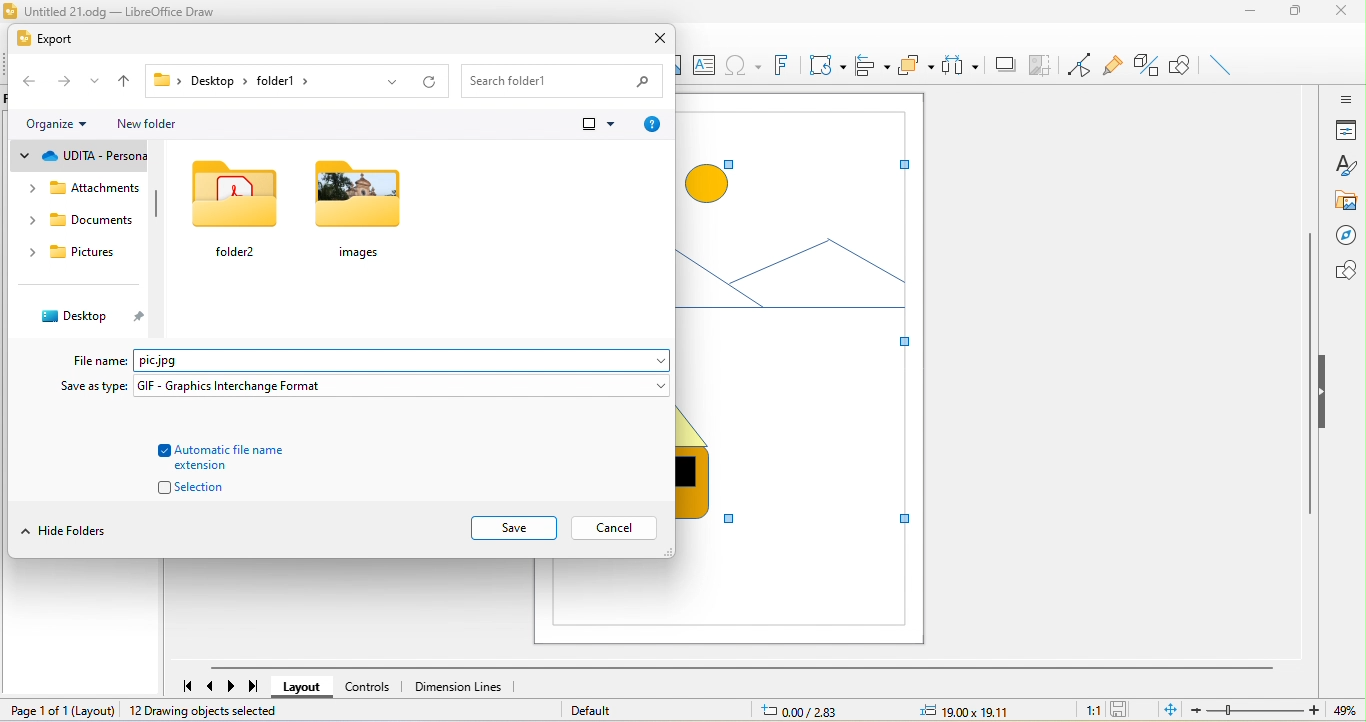 This screenshot has width=1366, height=722. Describe the element at coordinates (1041, 66) in the screenshot. I see `crop` at that location.